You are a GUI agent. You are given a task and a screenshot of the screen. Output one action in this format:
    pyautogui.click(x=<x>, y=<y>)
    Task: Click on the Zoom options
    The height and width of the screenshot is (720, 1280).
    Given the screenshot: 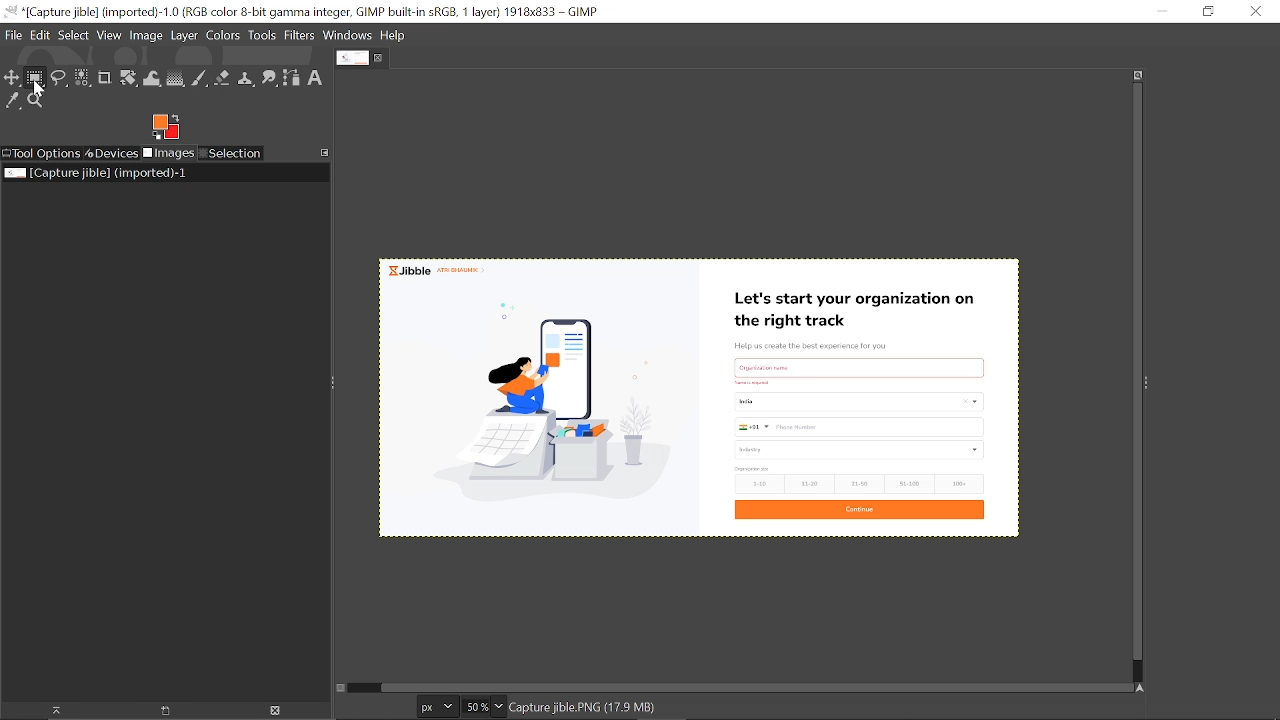 What is the action you would take?
    pyautogui.click(x=501, y=707)
    